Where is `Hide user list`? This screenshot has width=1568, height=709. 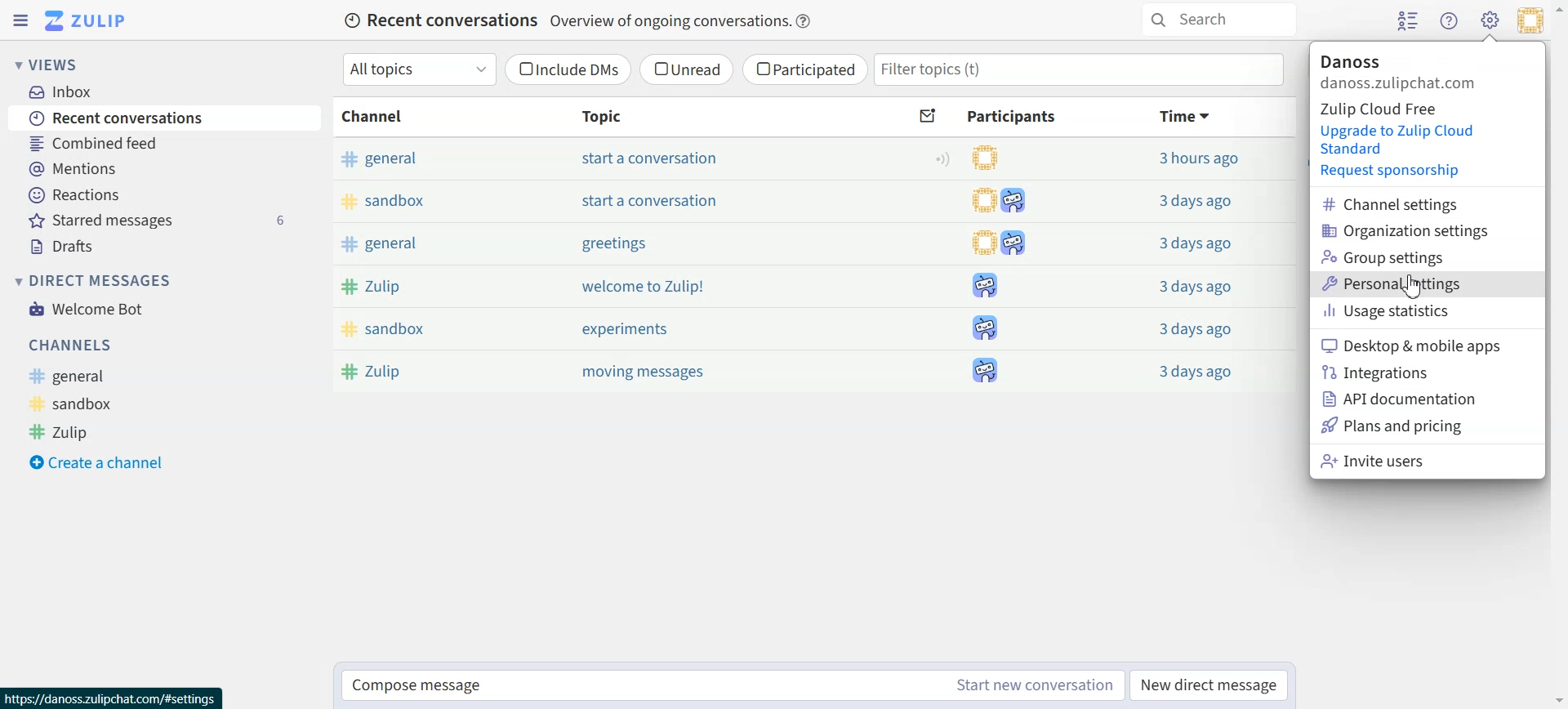
Hide user list is located at coordinates (1406, 21).